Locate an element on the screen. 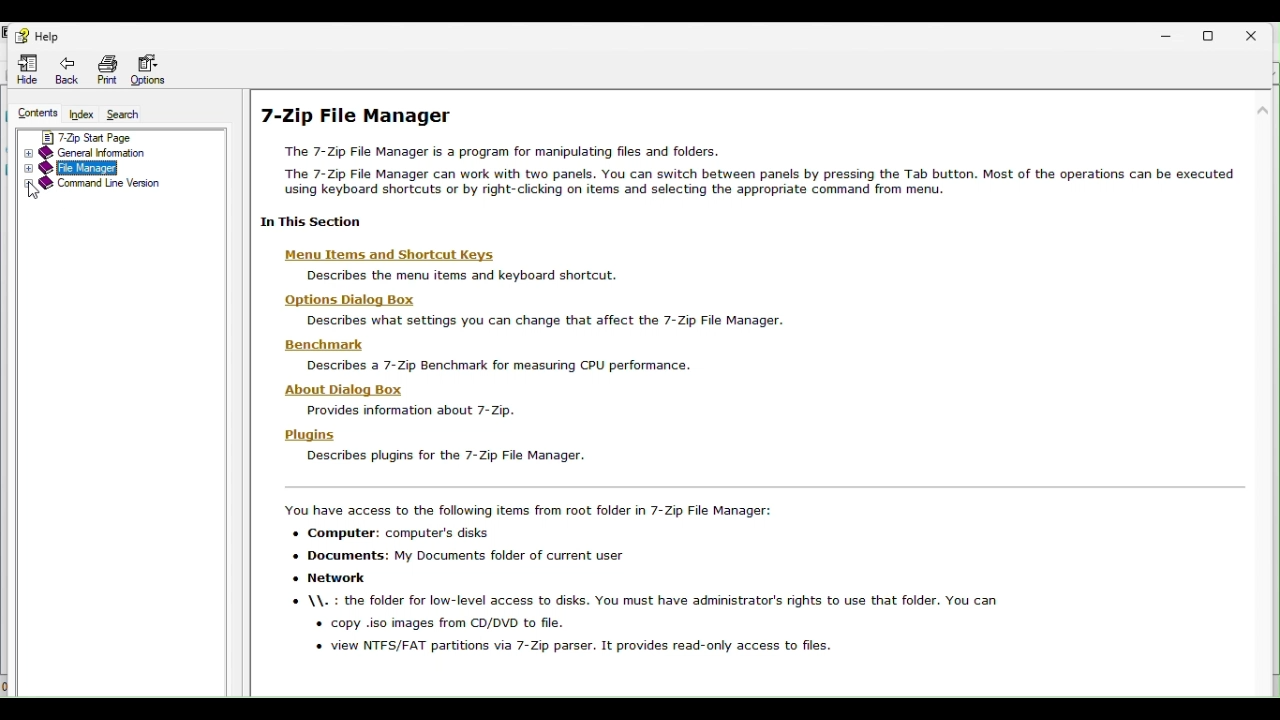 The width and height of the screenshot is (1280, 720).  is located at coordinates (62, 70).